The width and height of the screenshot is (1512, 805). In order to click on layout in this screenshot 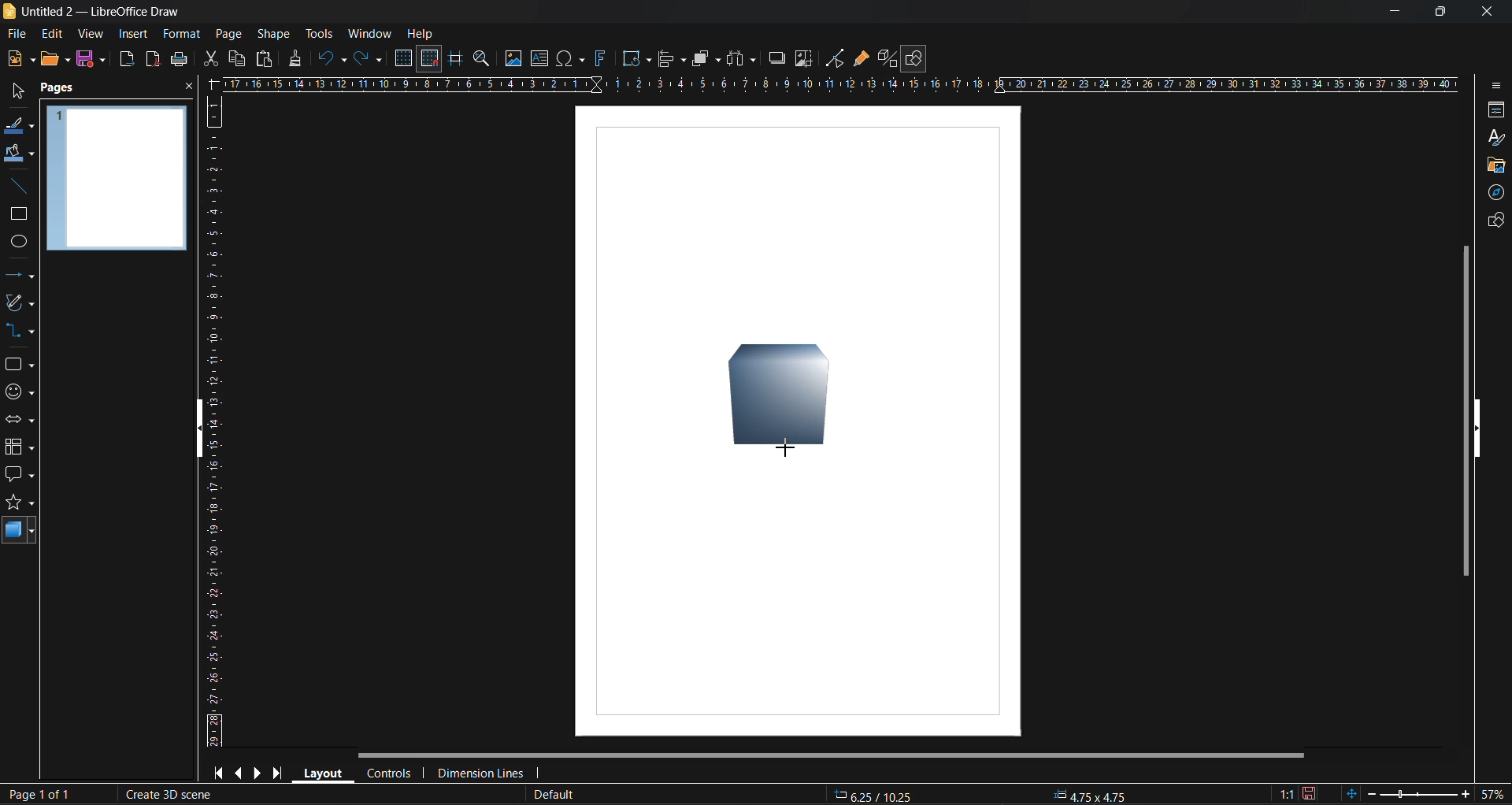, I will do `click(325, 773)`.